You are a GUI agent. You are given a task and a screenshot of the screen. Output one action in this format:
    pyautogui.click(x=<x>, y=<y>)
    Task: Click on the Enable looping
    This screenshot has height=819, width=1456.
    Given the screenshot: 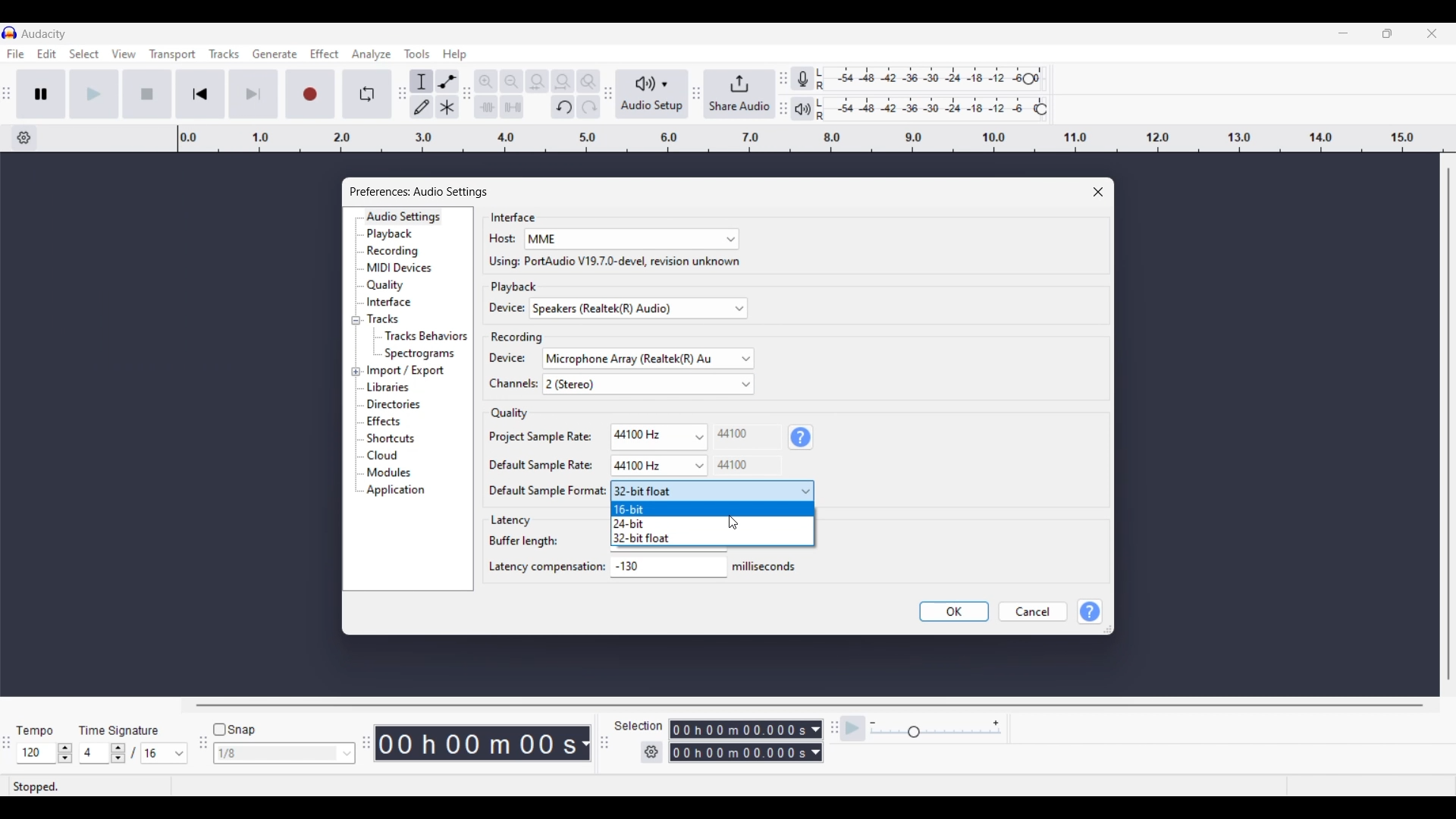 What is the action you would take?
    pyautogui.click(x=368, y=94)
    